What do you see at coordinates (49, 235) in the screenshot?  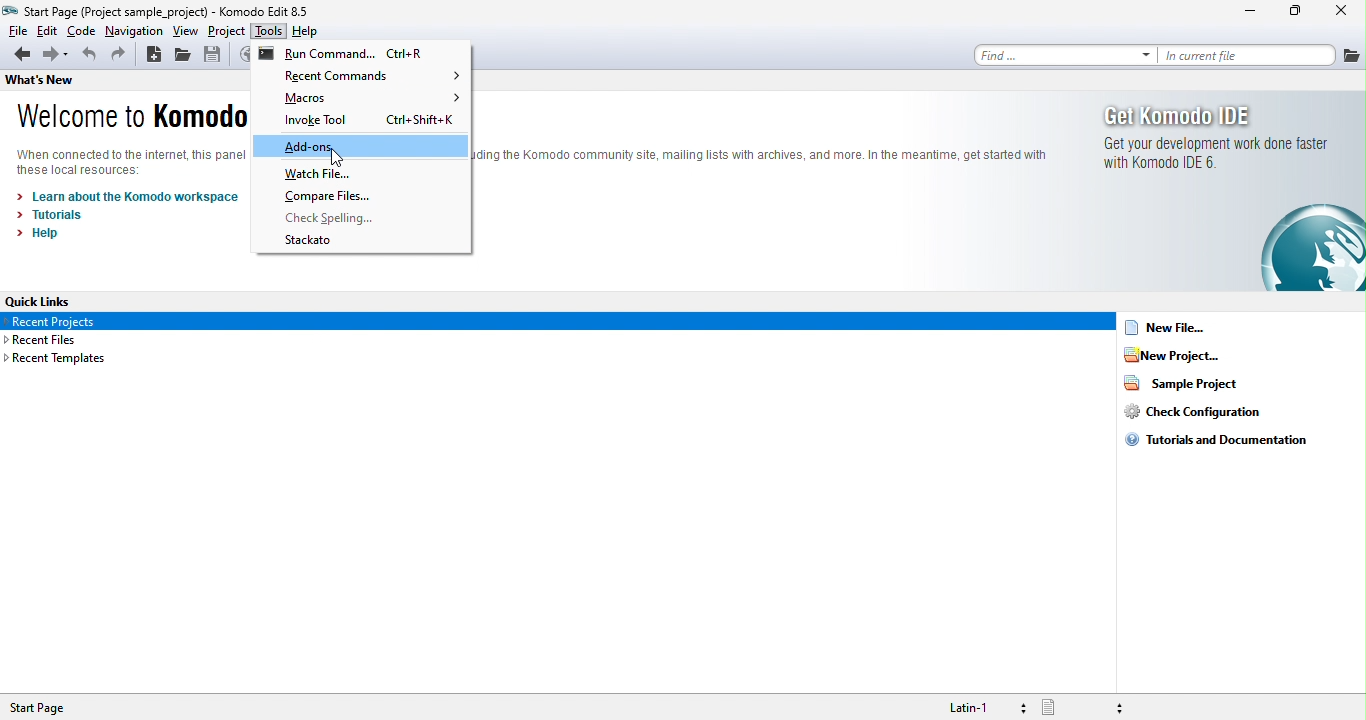 I see `help` at bounding box center [49, 235].